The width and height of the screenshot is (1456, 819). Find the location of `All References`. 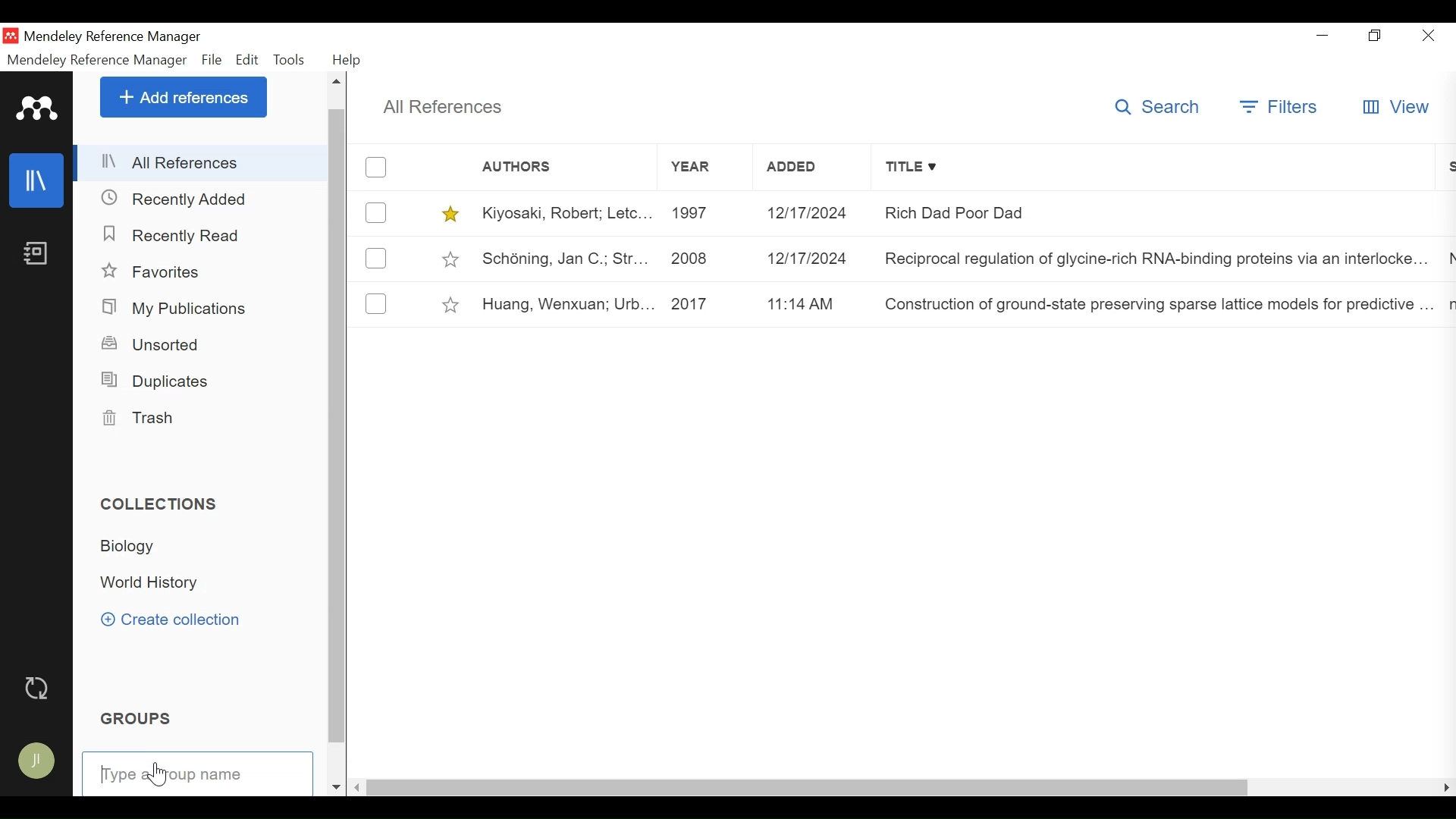

All References is located at coordinates (202, 162).